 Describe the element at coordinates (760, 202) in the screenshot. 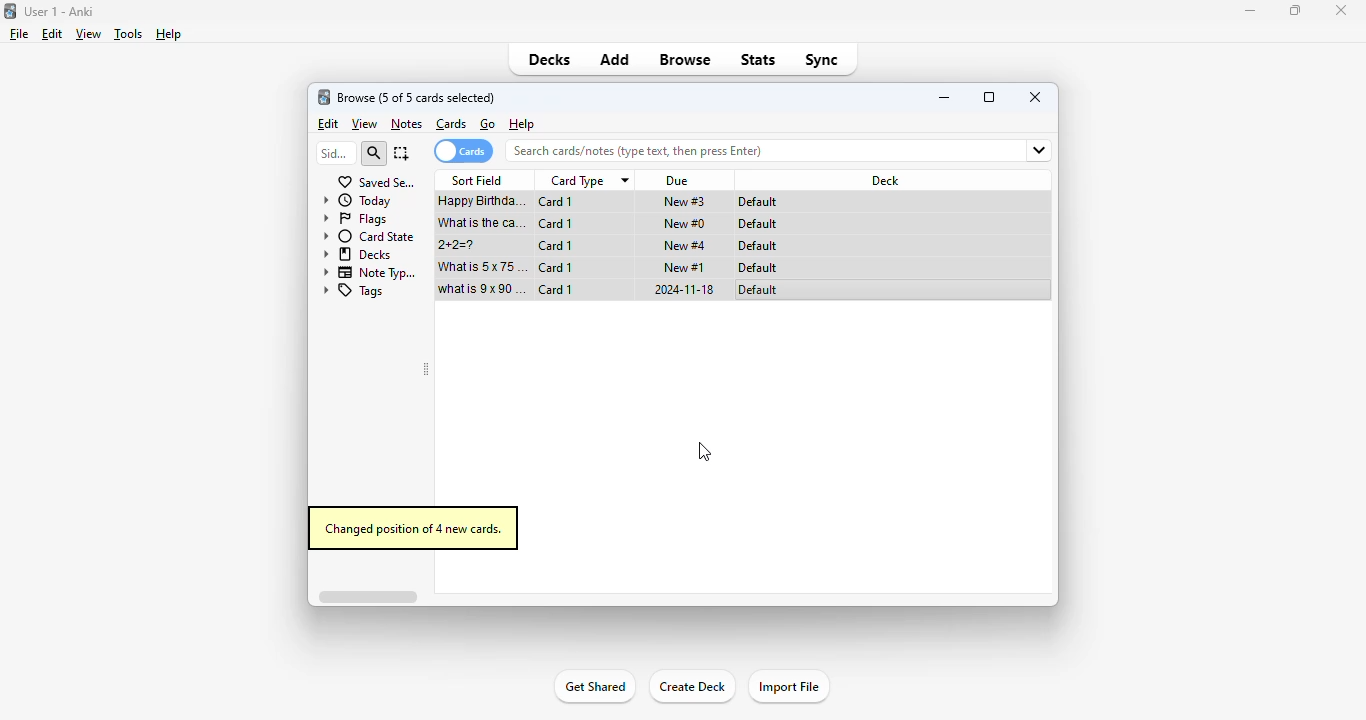

I see `default` at that location.